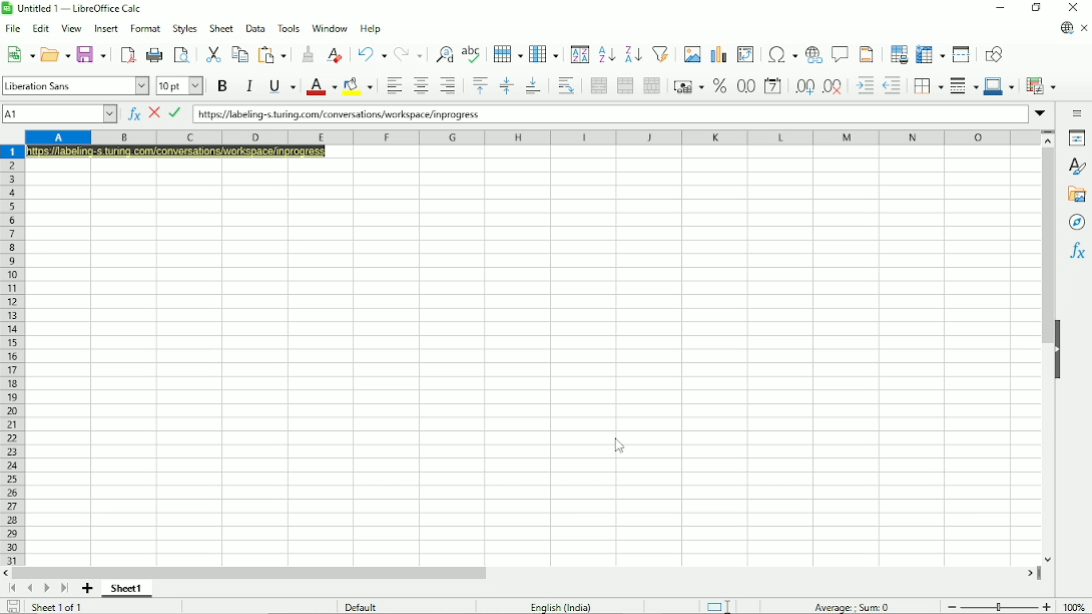  What do you see at coordinates (1074, 8) in the screenshot?
I see `Close` at bounding box center [1074, 8].